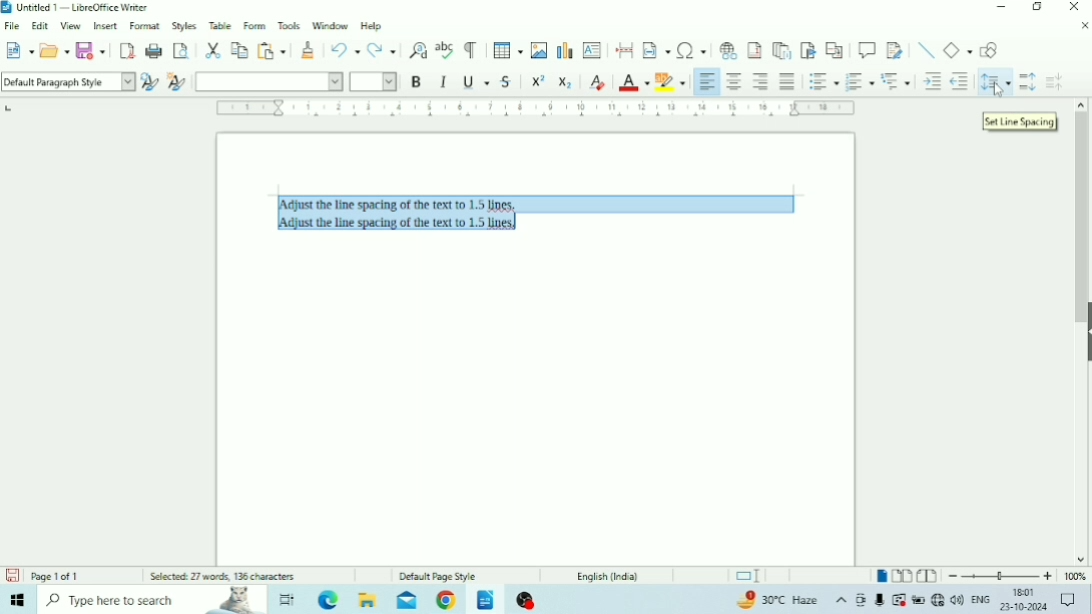 The height and width of the screenshot is (614, 1092). I want to click on Page number, so click(56, 576).